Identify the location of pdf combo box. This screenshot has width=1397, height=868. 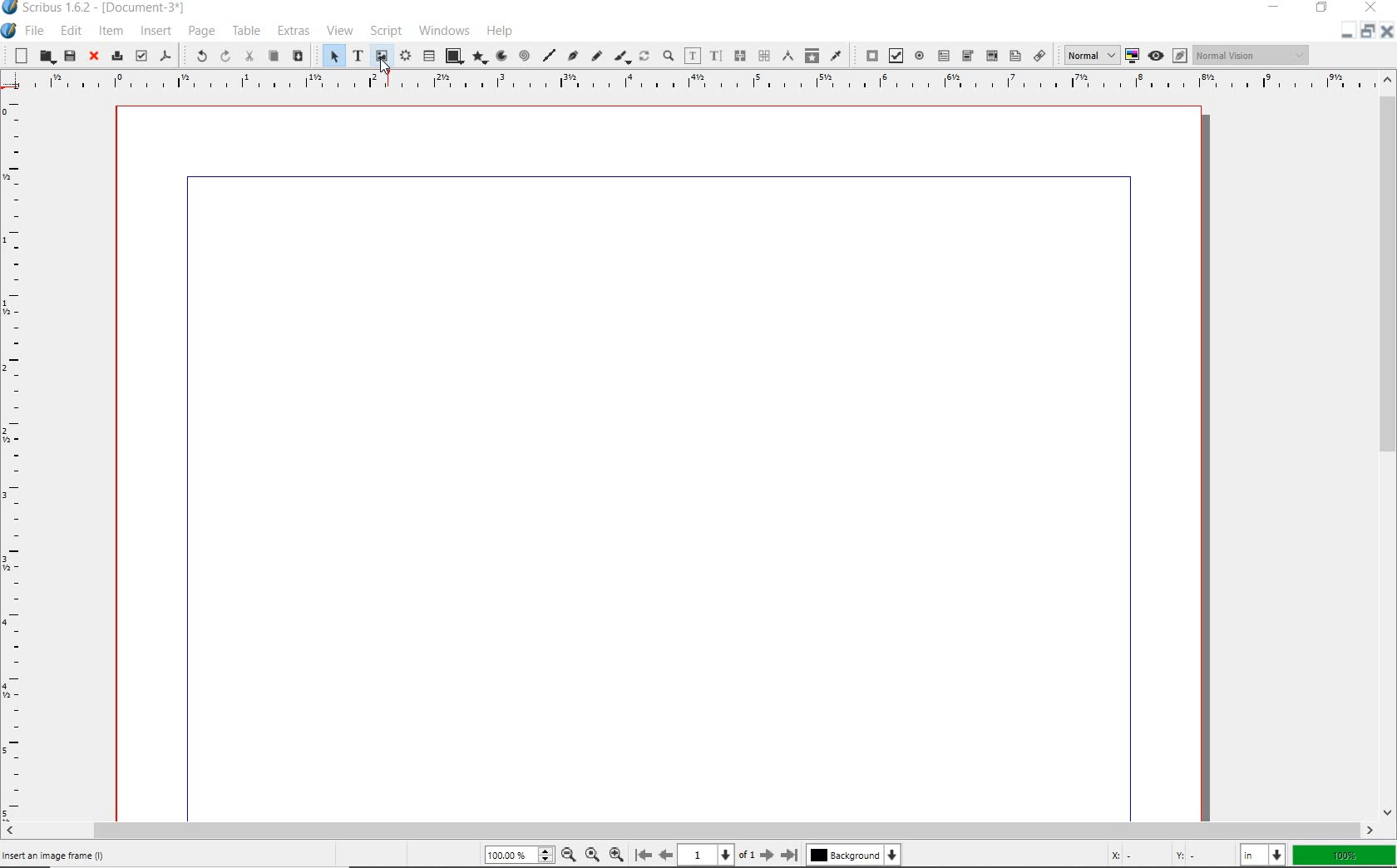
(967, 56).